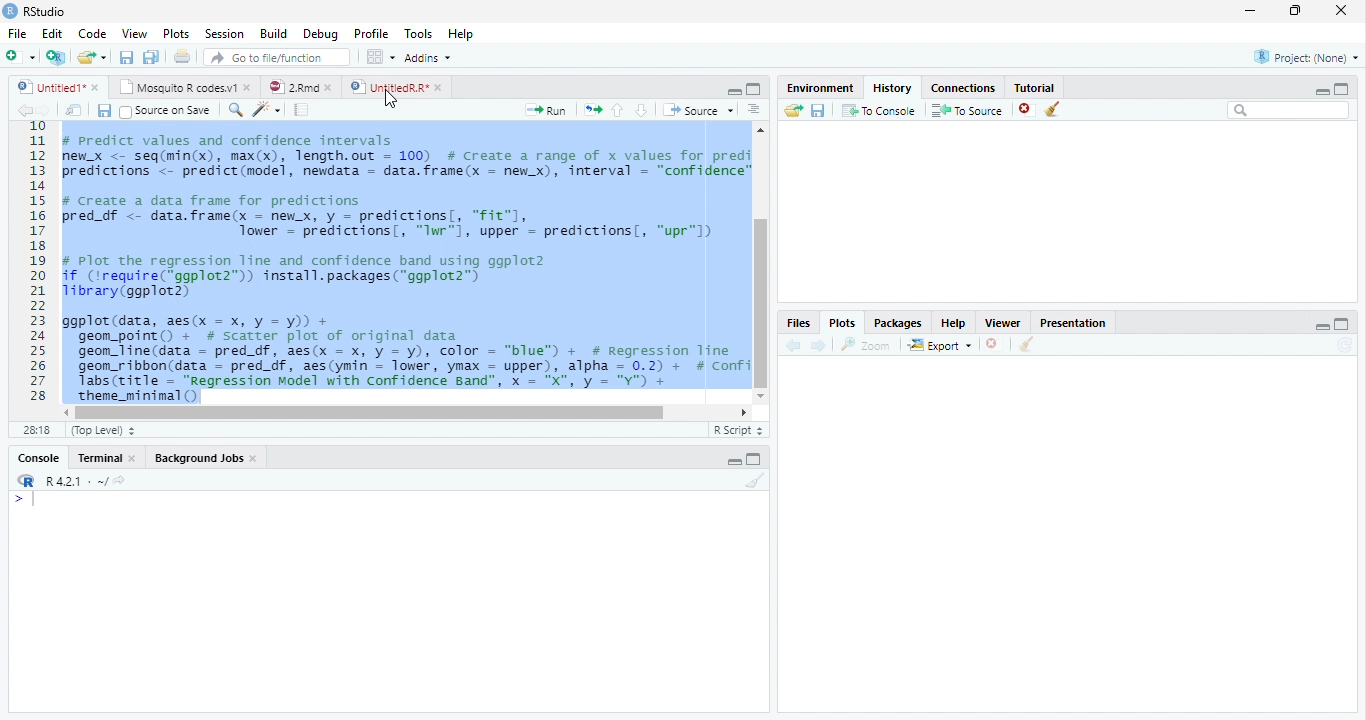 The image size is (1366, 720). Describe the element at coordinates (1340, 325) in the screenshot. I see `Maximize` at that location.